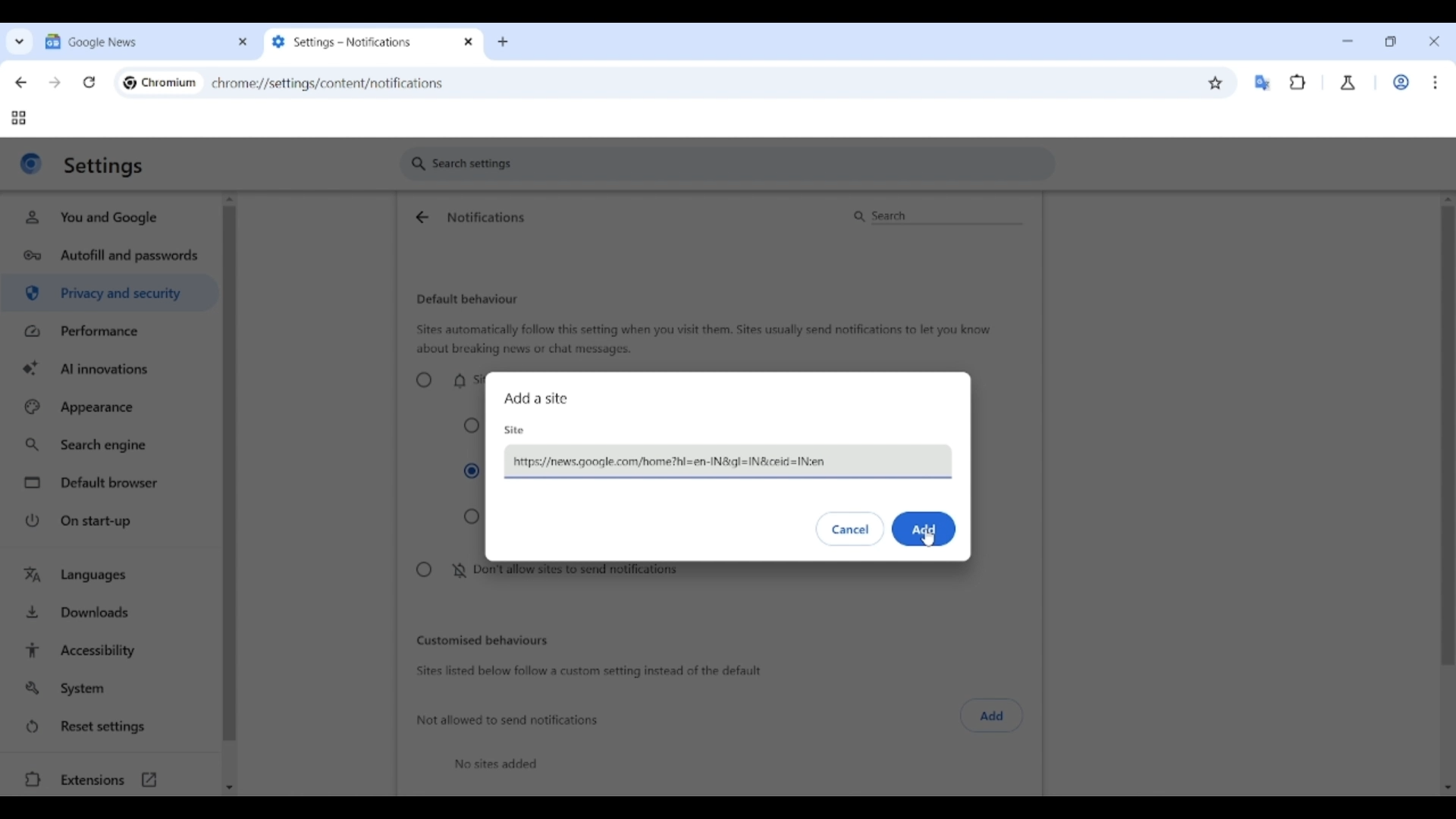  What do you see at coordinates (169, 82) in the screenshot?
I see `Chromium` at bounding box center [169, 82].